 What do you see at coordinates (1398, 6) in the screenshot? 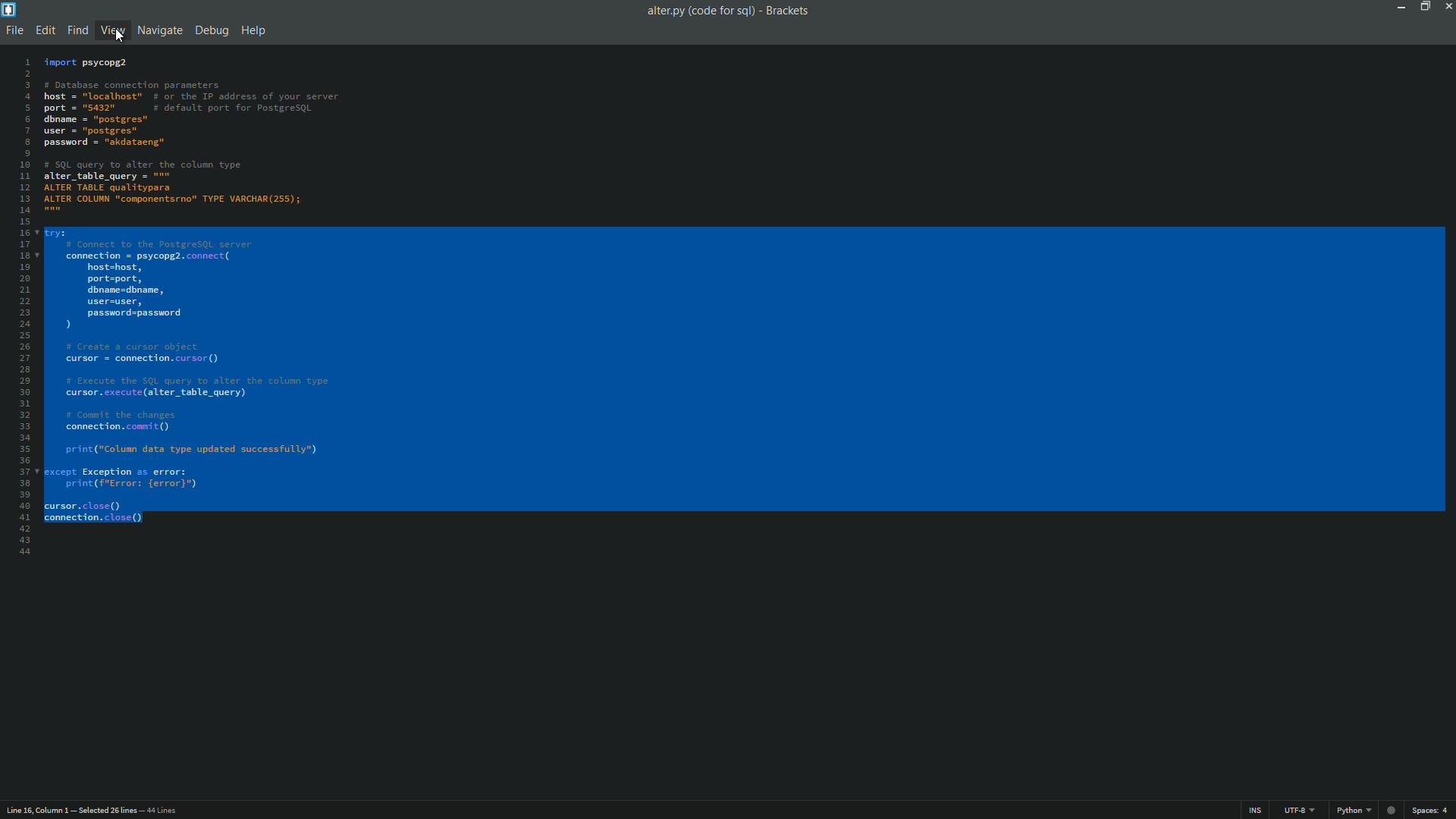
I see `minimize` at bounding box center [1398, 6].